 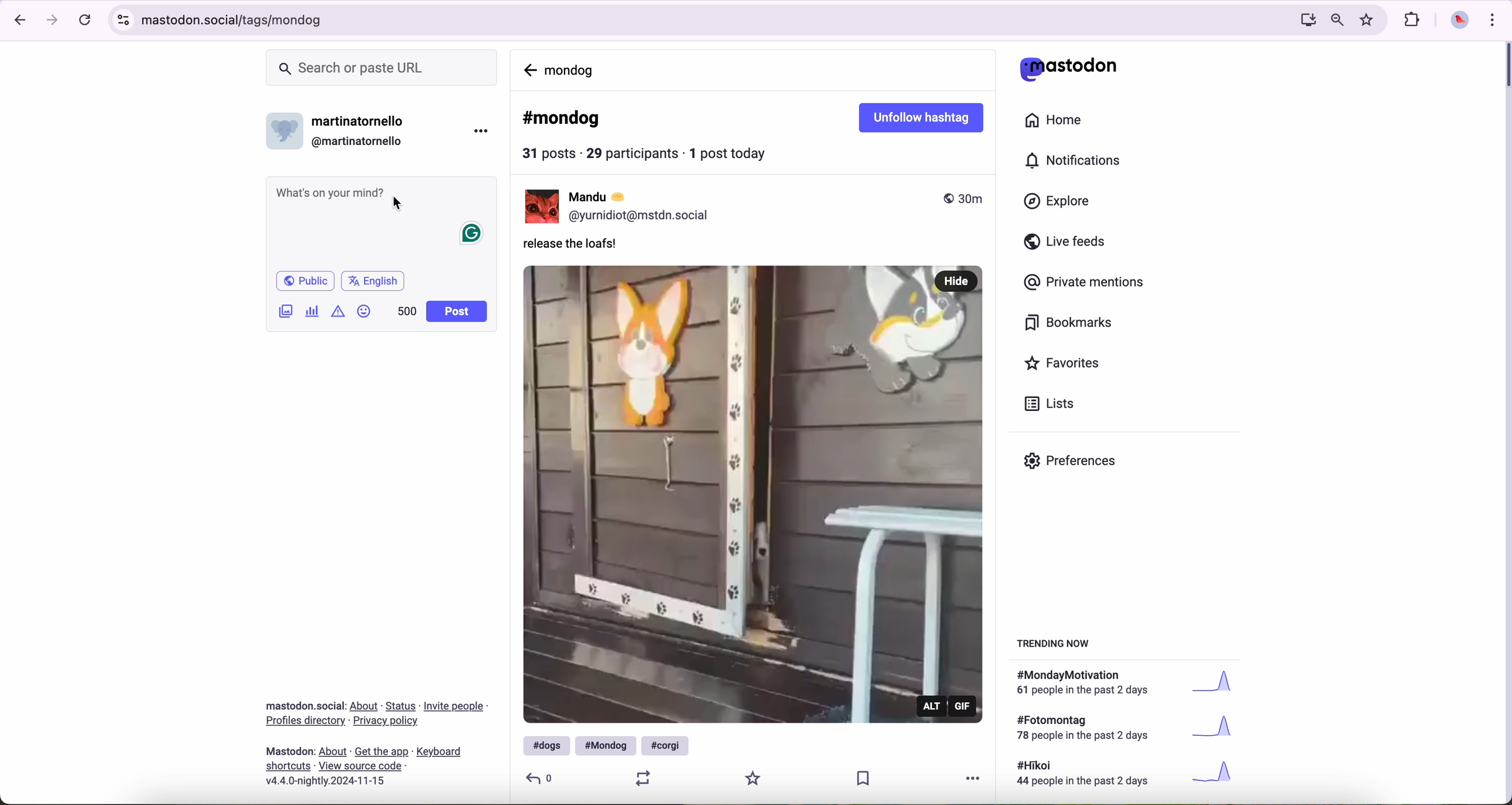 I want to click on navigate foward, so click(x=54, y=21).